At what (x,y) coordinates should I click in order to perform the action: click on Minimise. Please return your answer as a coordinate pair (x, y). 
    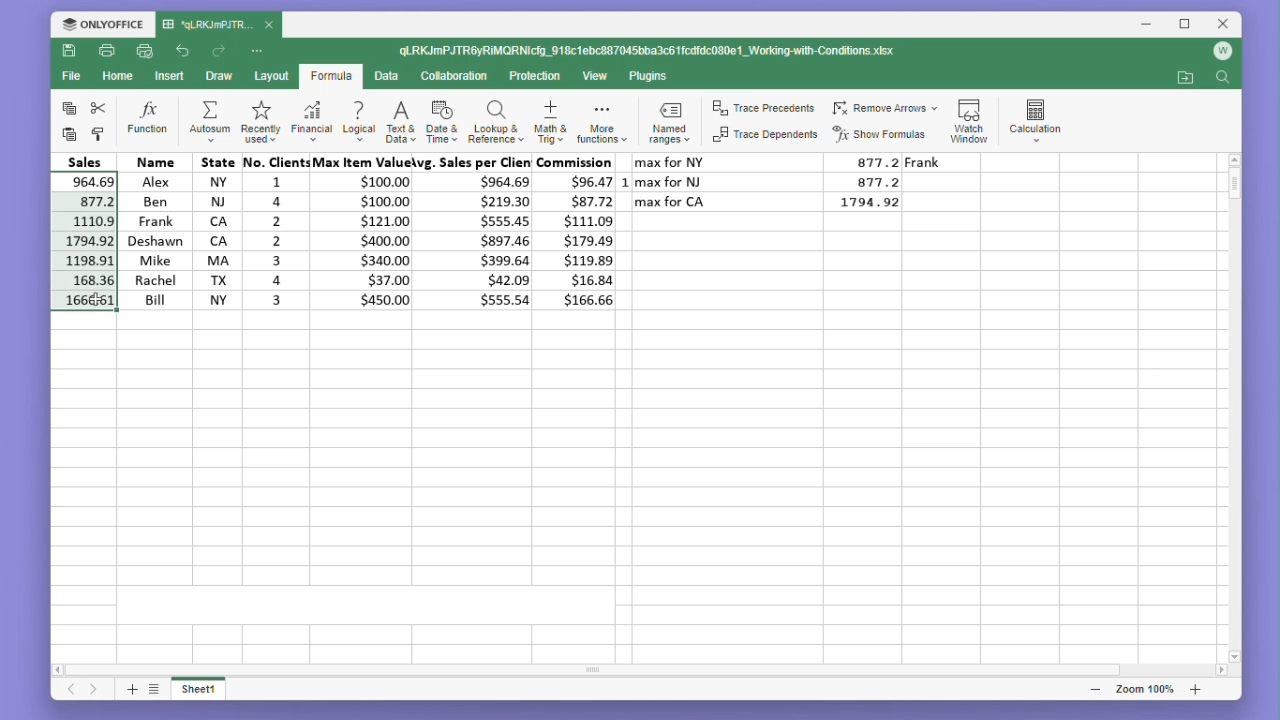
    Looking at the image, I should click on (1147, 25).